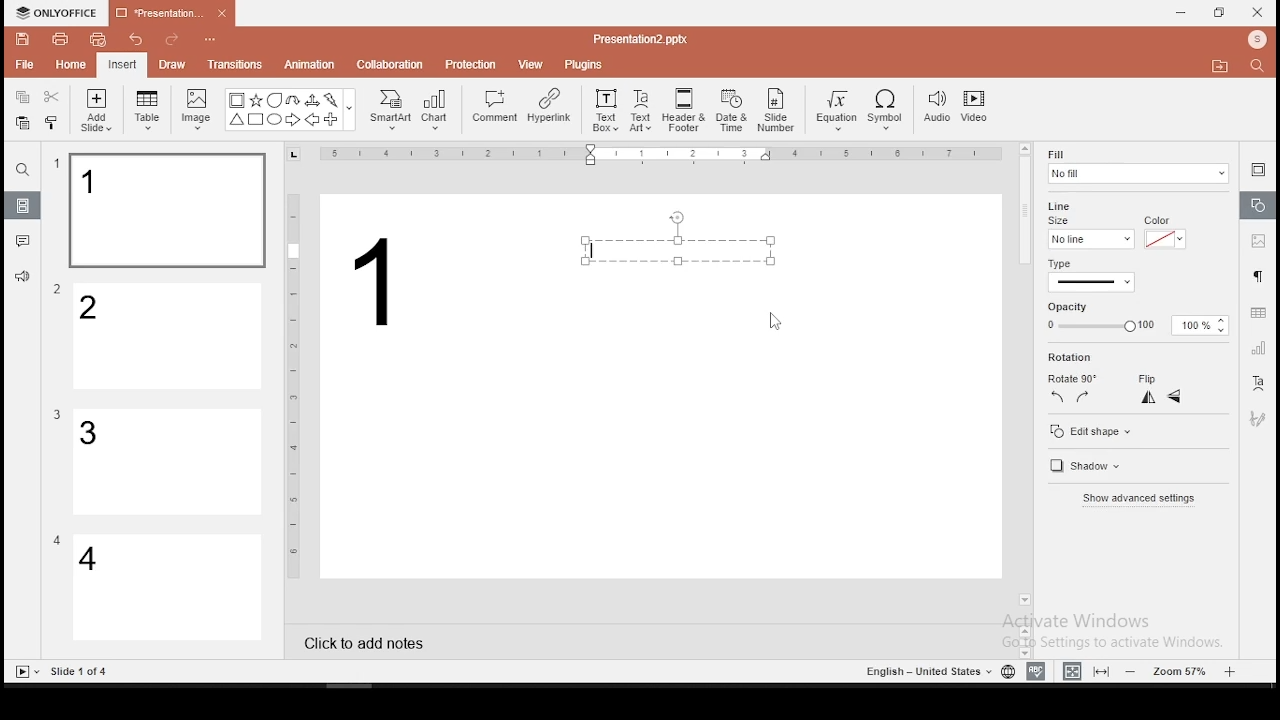 This screenshot has width=1280, height=720. What do you see at coordinates (1058, 396) in the screenshot?
I see `rotate 90 counterclockwise` at bounding box center [1058, 396].